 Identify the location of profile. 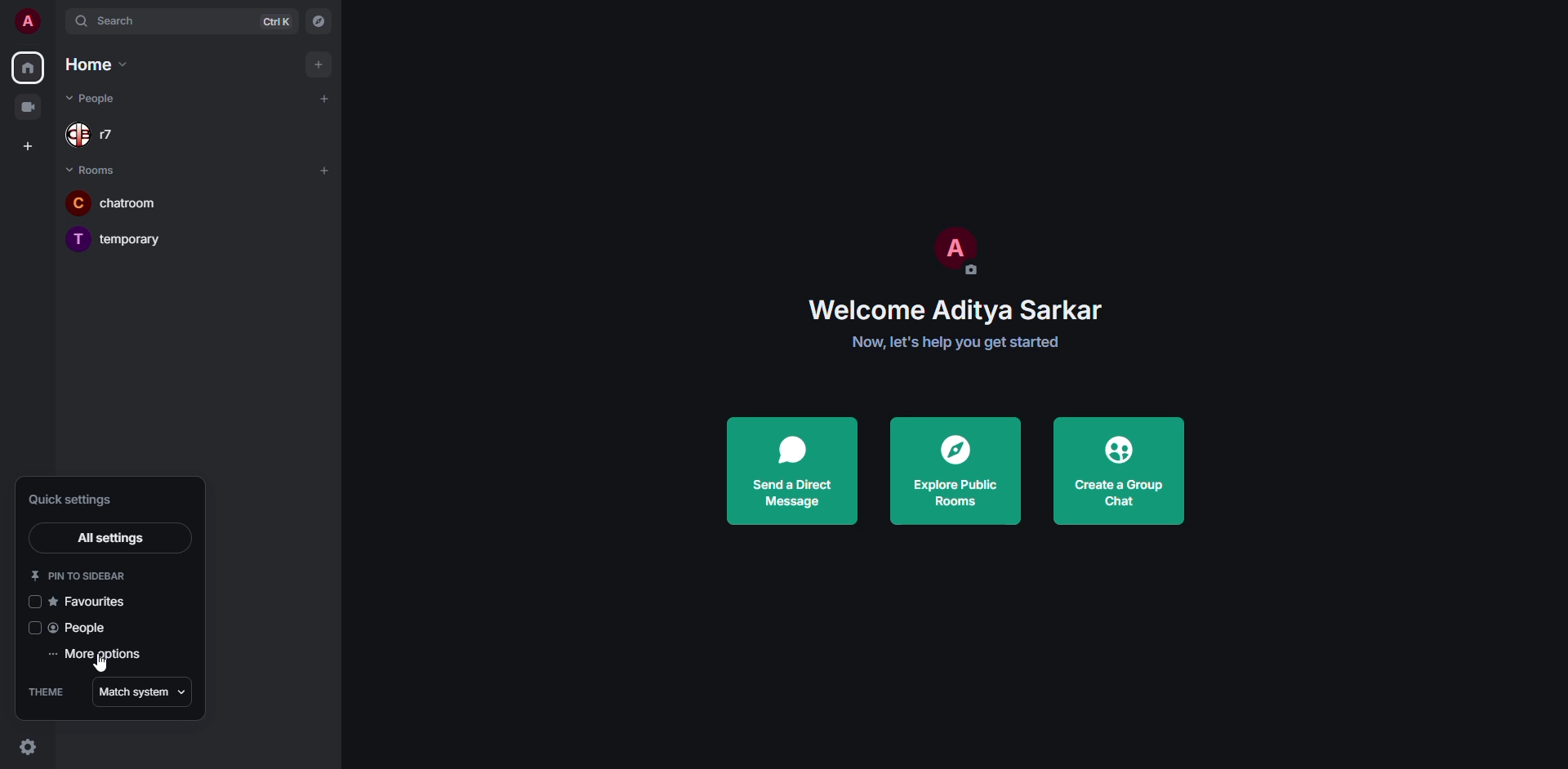
(25, 21).